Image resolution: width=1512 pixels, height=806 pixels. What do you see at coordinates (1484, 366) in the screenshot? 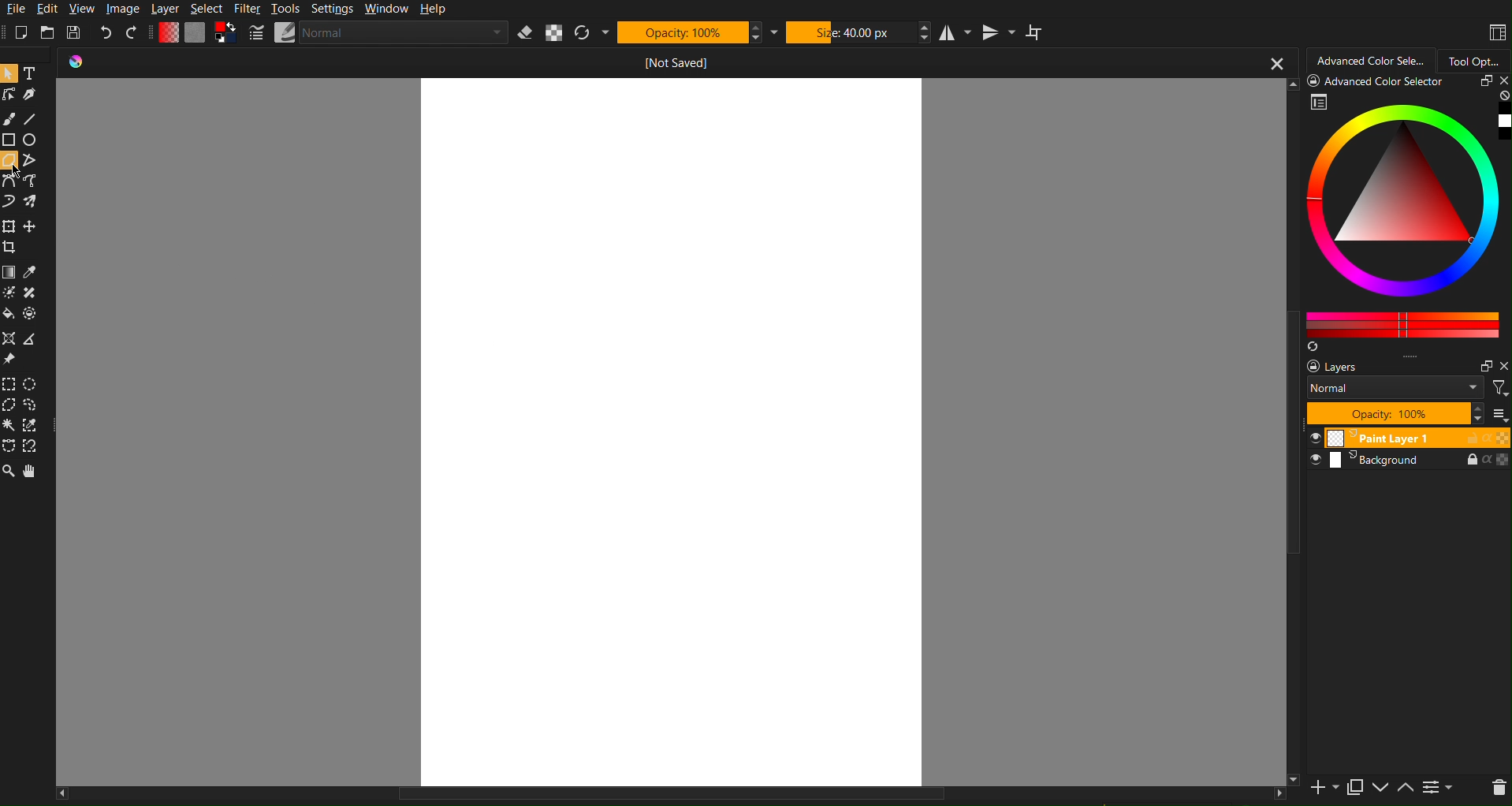
I see `restore panel` at bounding box center [1484, 366].